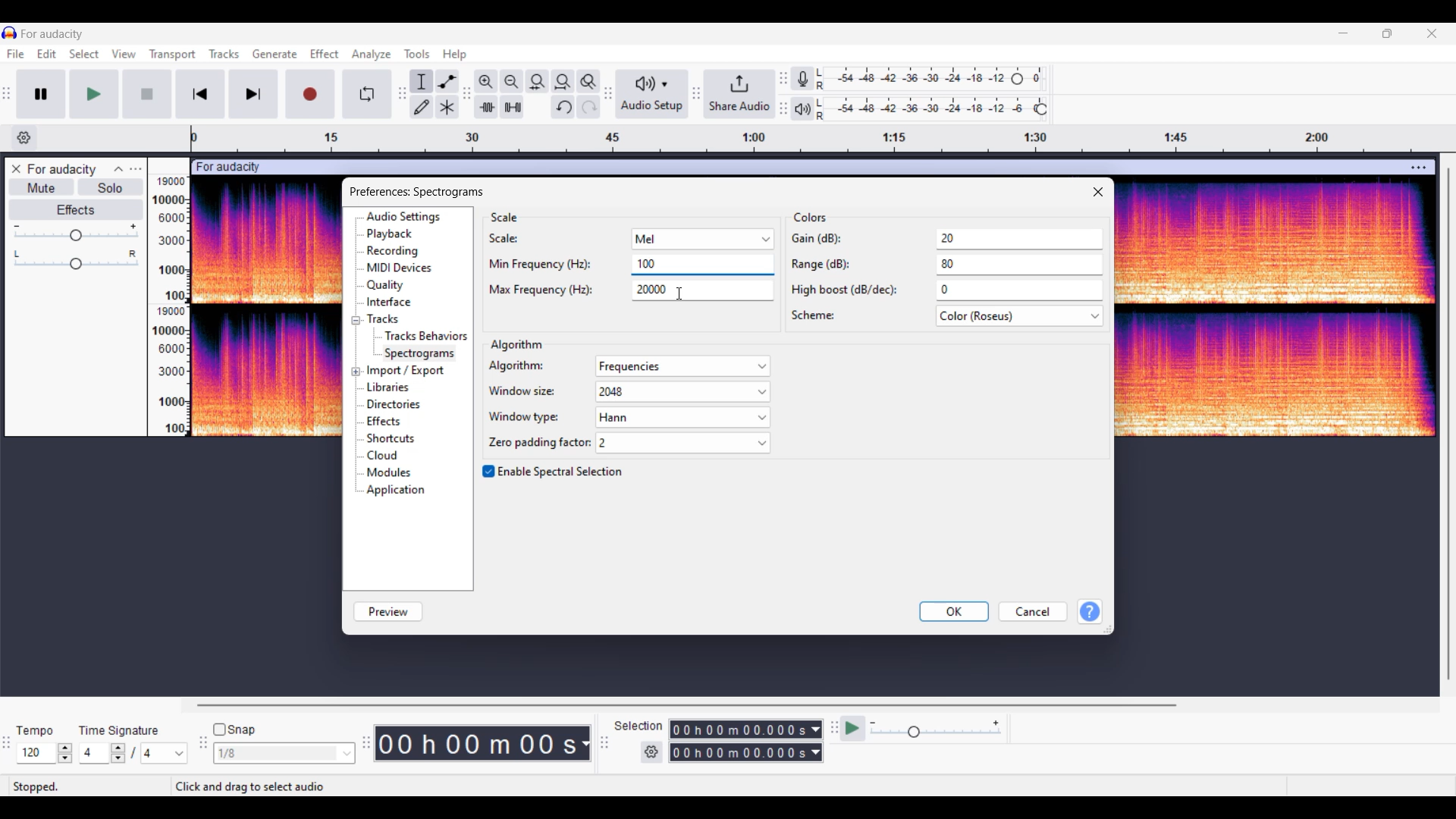  I want to click on Select menu, so click(84, 54).